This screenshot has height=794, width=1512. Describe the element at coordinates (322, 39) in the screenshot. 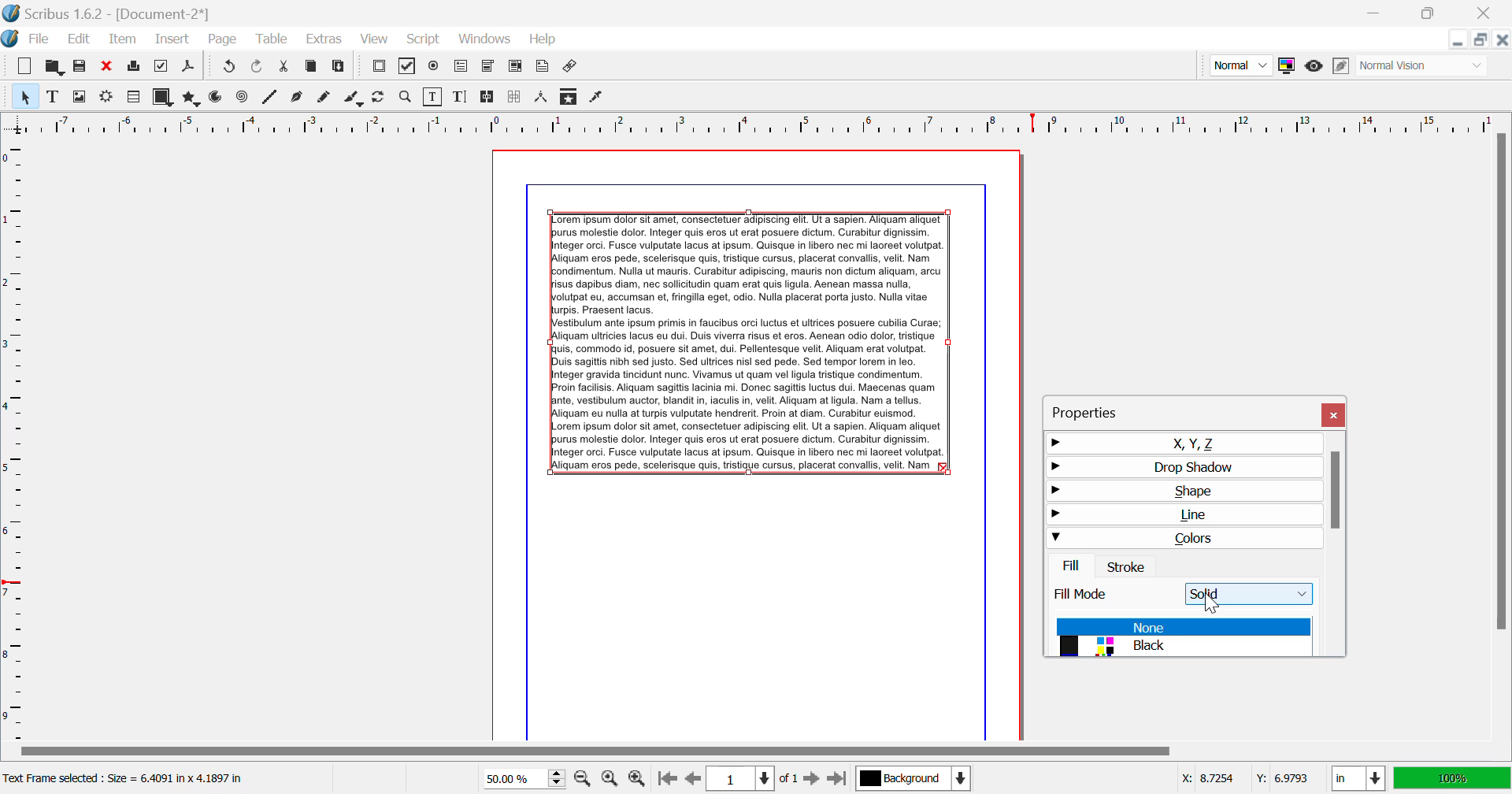

I see `Extras` at that location.